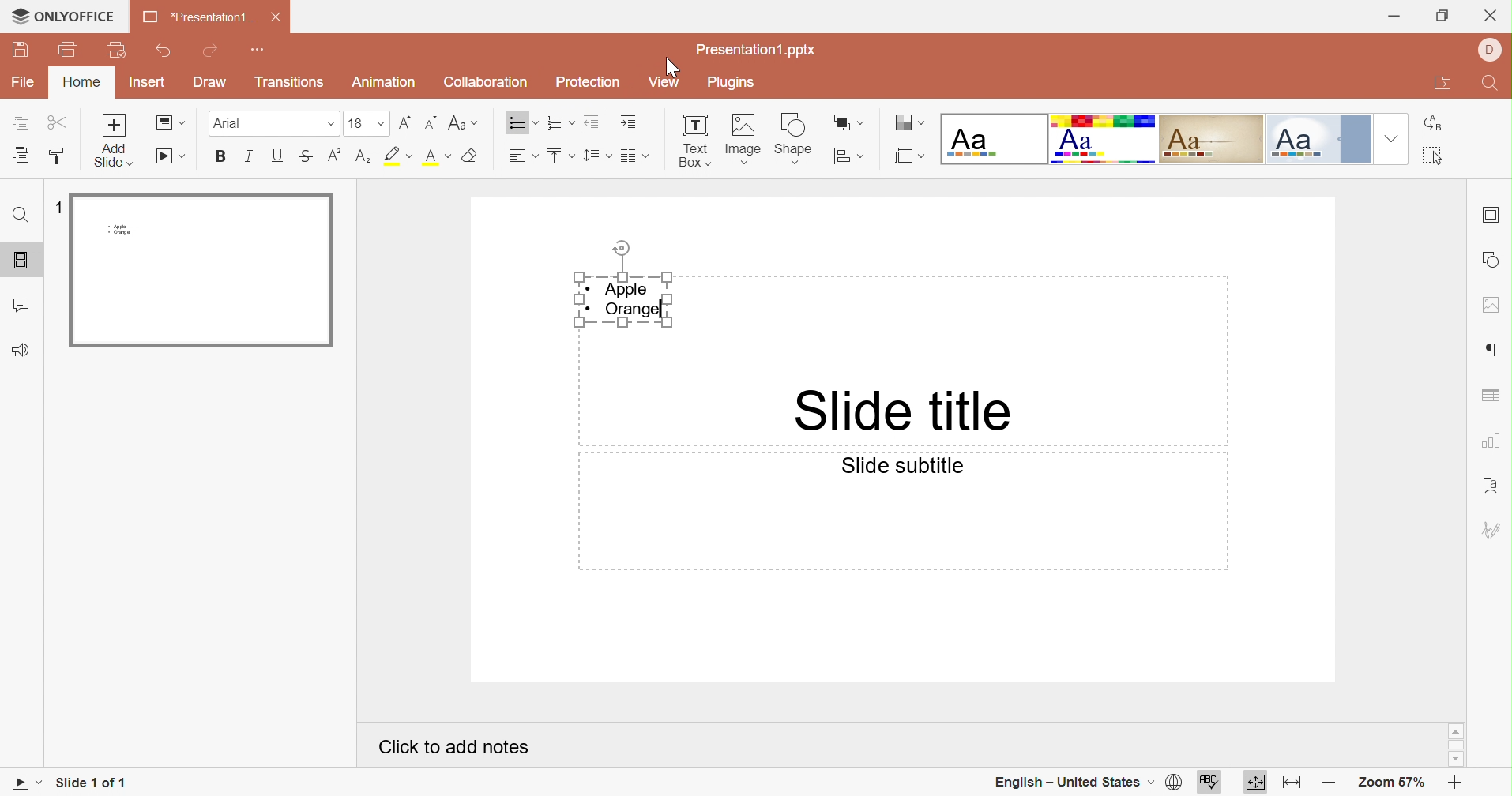 This screenshot has width=1512, height=796. I want to click on paragraph settings, so click(1495, 346).